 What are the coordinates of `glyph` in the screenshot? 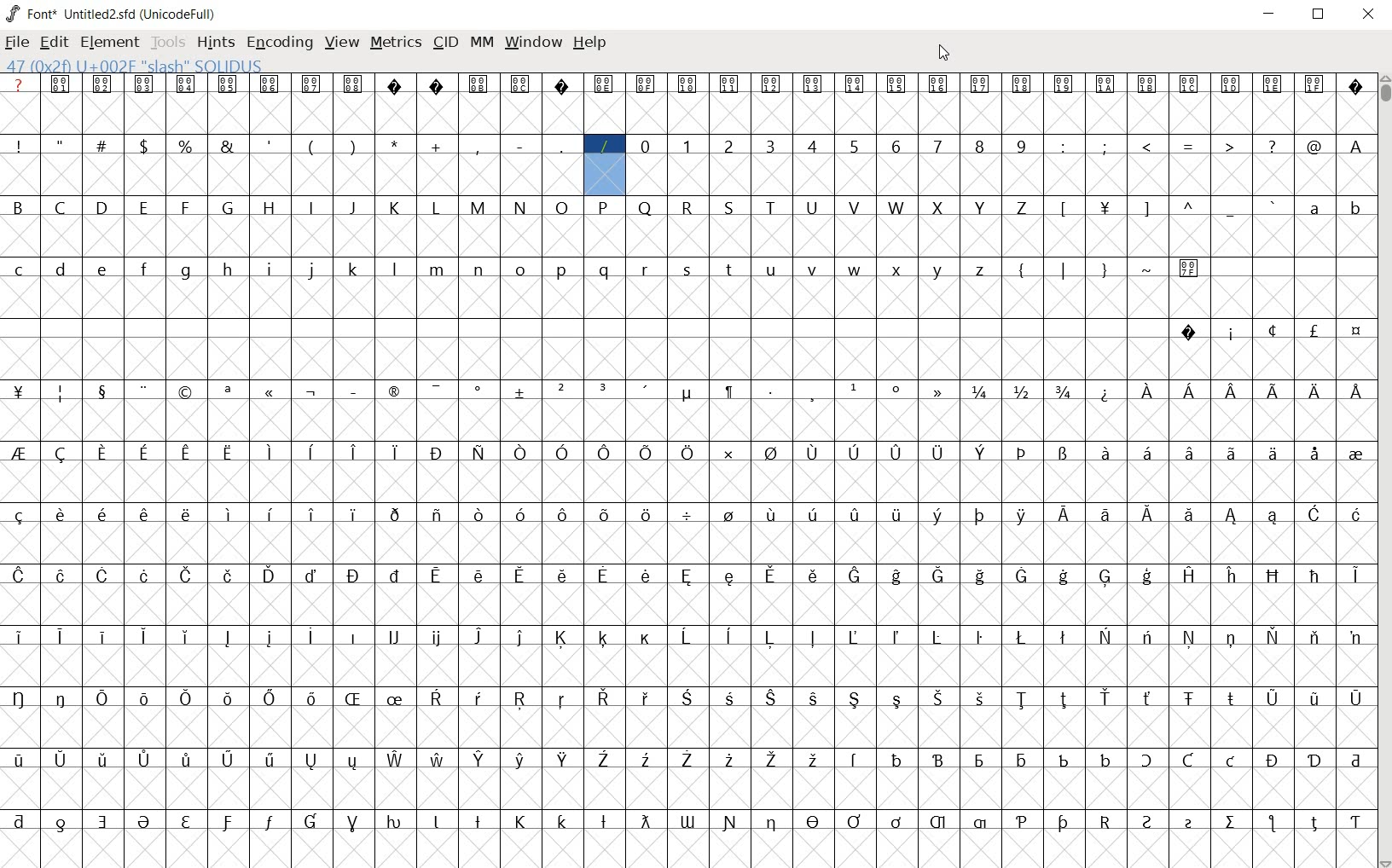 It's located at (435, 391).